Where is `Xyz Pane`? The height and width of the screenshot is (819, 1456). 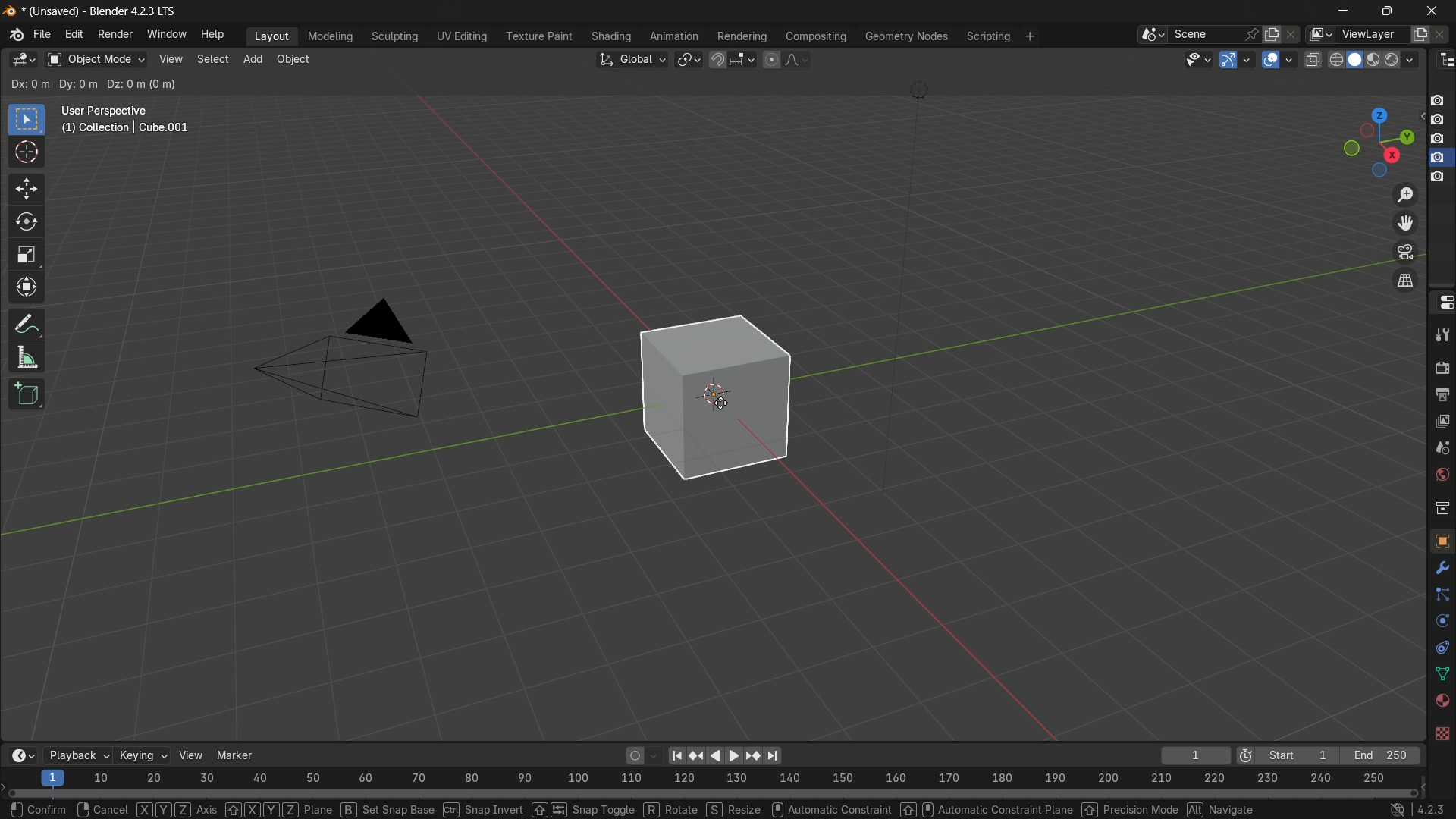
Xyz Pane is located at coordinates (278, 807).